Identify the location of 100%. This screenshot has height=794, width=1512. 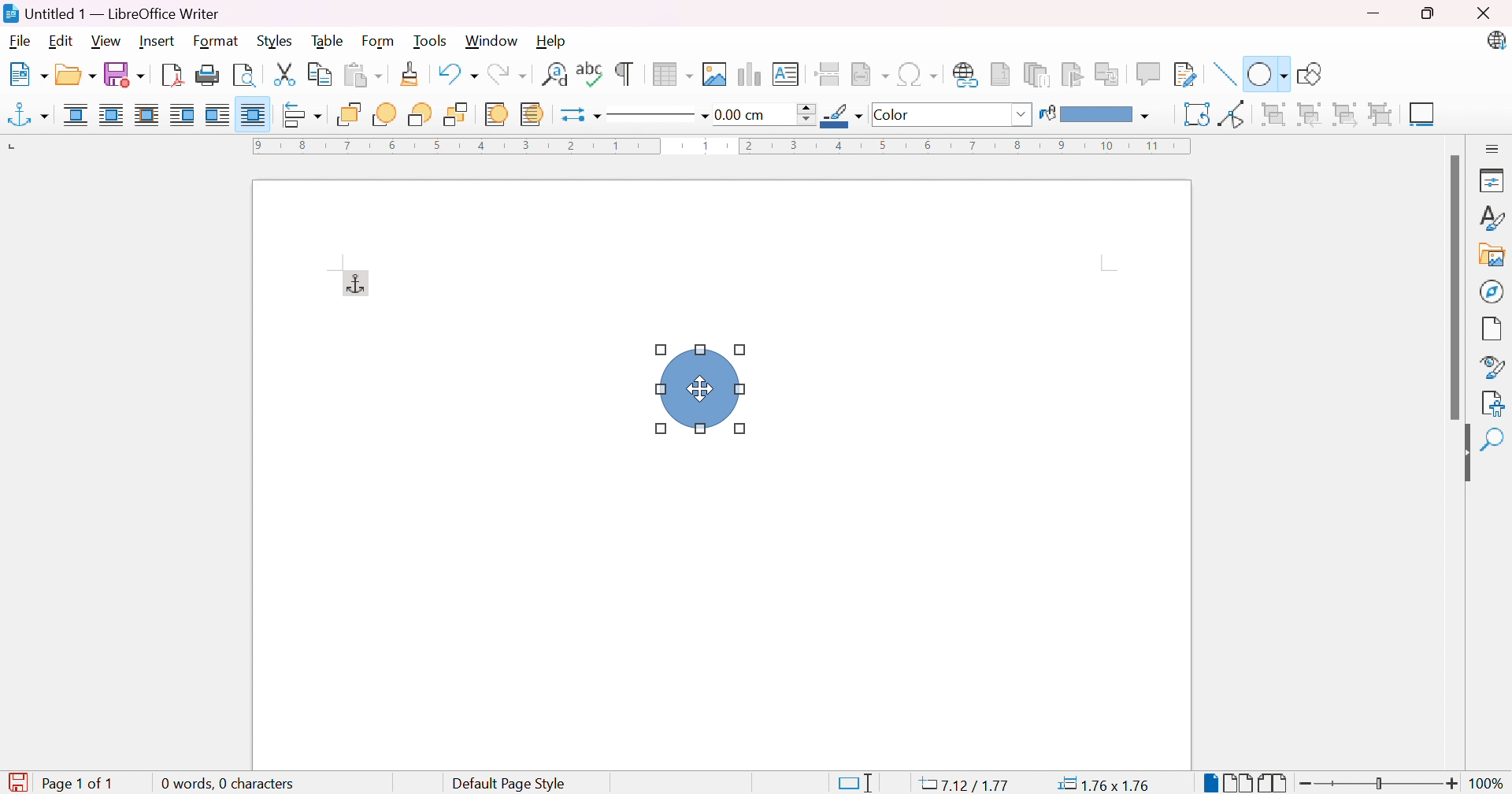
(1489, 785).